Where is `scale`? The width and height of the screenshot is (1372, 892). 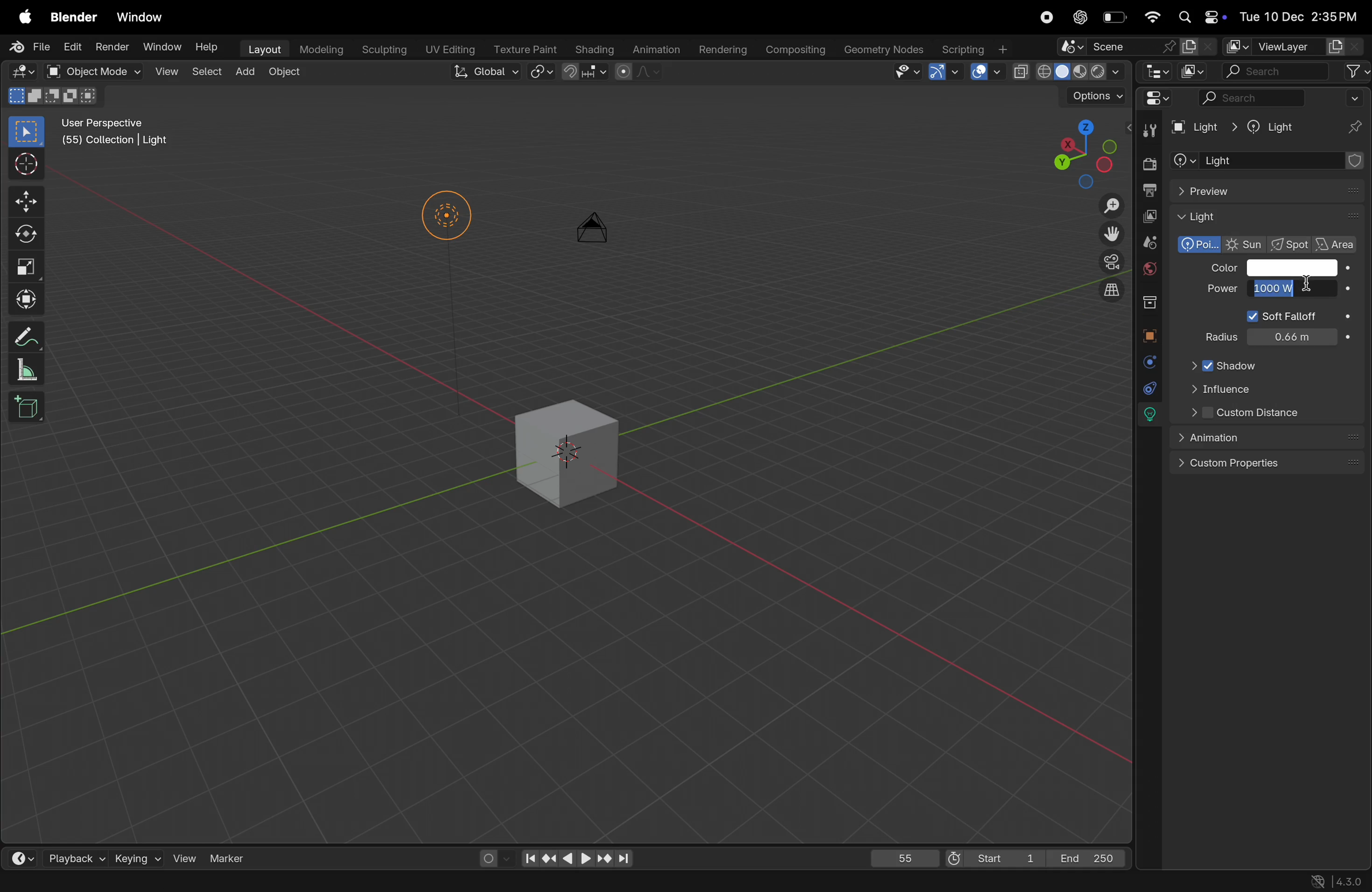 scale is located at coordinates (26, 371).